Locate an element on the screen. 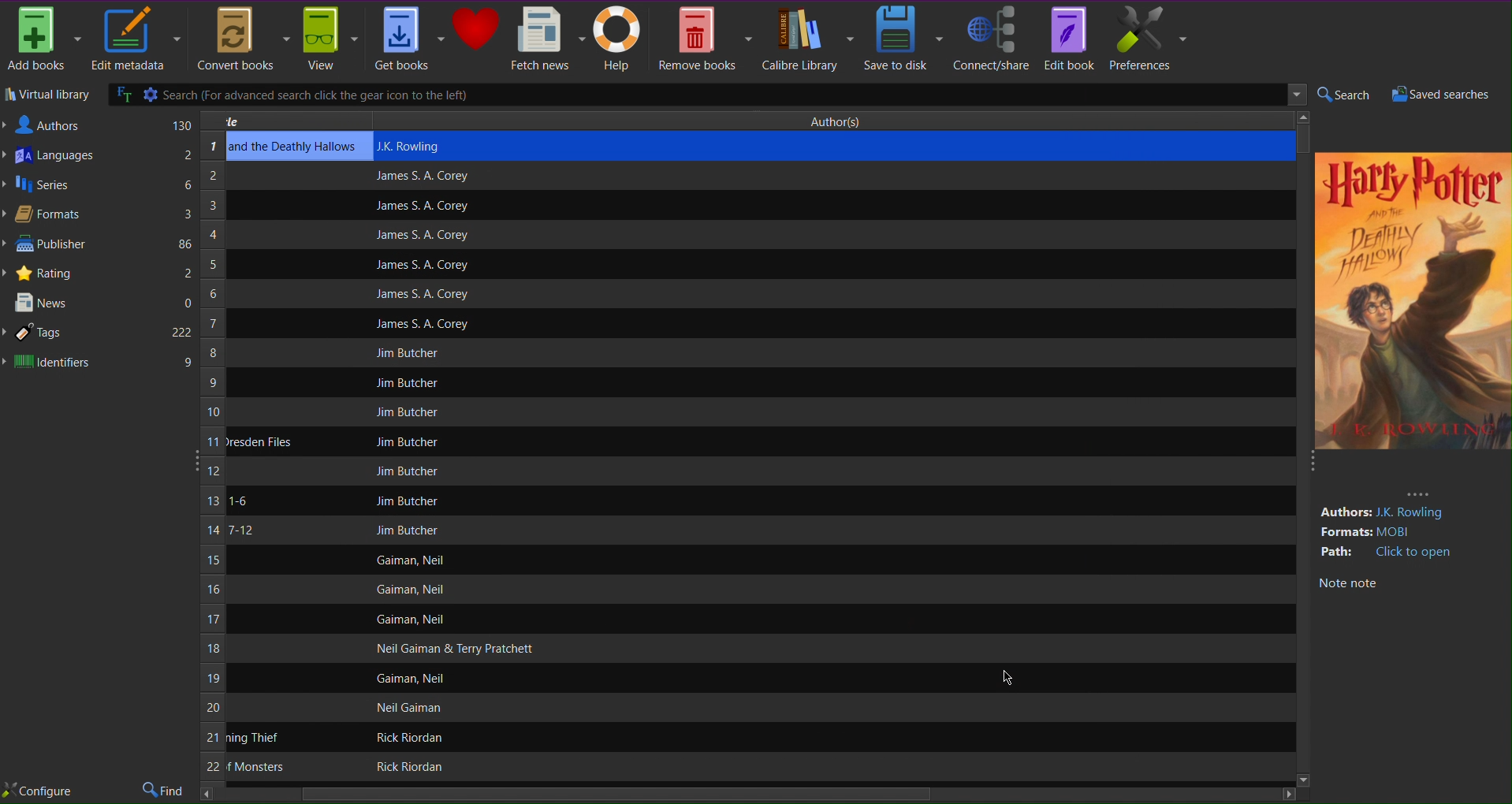  Jim Butcher is located at coordinates (408, 501).